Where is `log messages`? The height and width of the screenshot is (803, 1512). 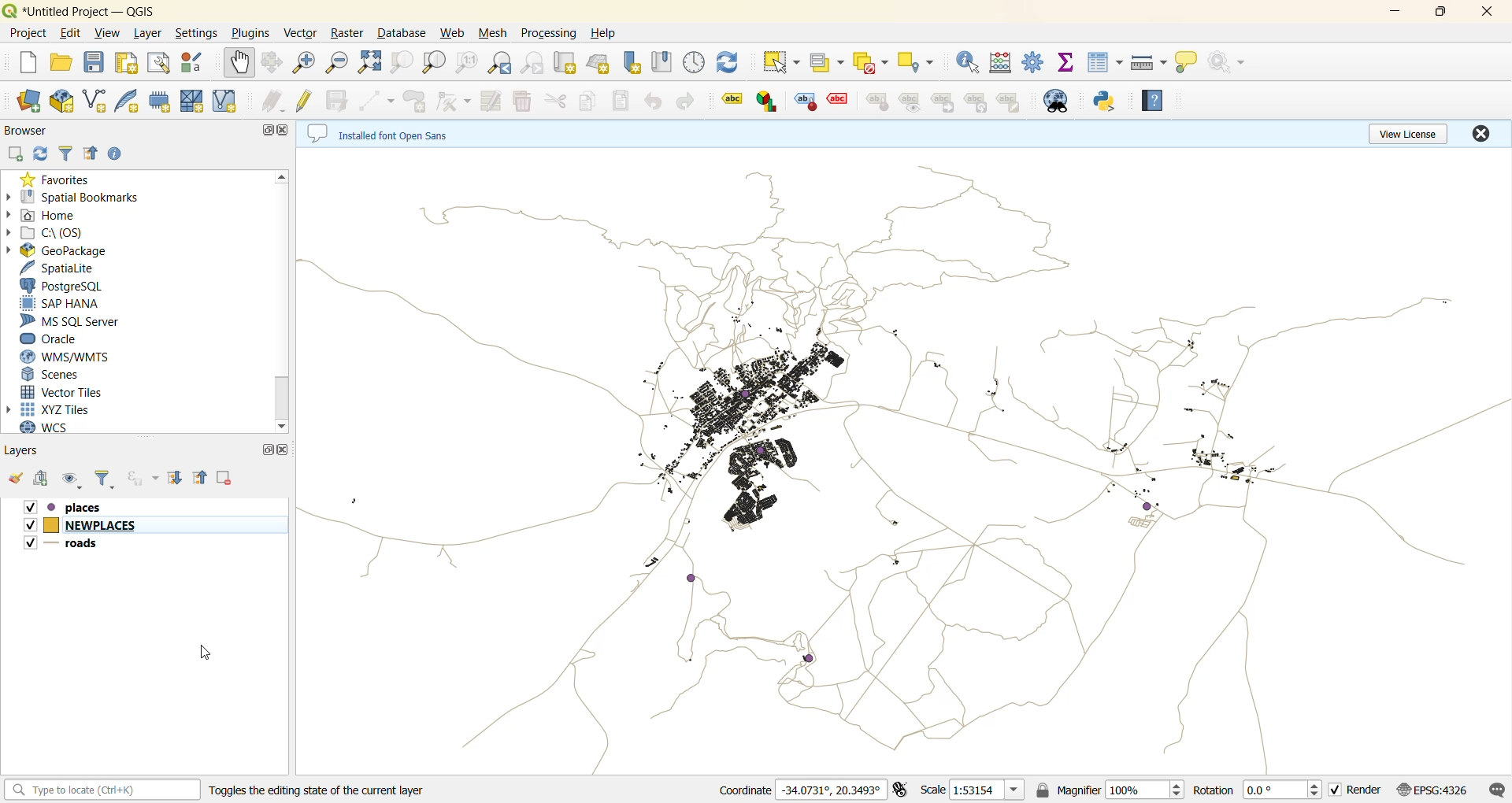
log messages is located at coordinates (1497, 789).